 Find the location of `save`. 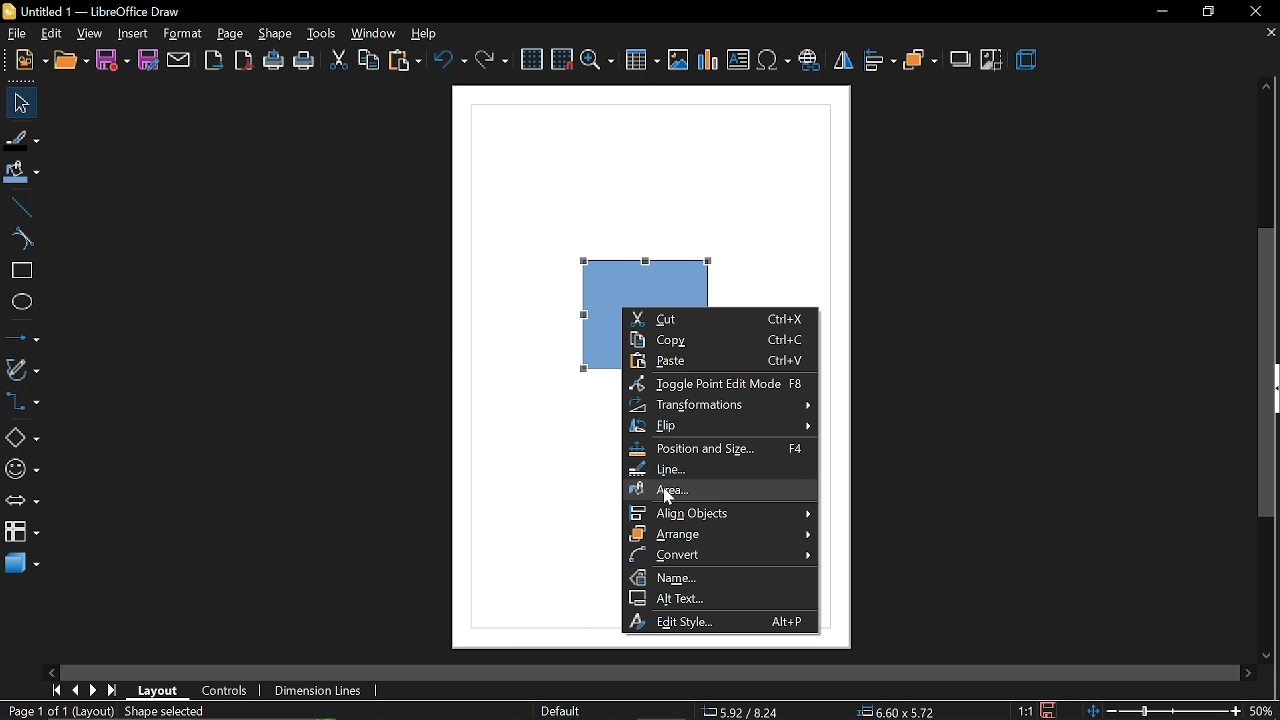

save is located at coordinates (1046, 710).